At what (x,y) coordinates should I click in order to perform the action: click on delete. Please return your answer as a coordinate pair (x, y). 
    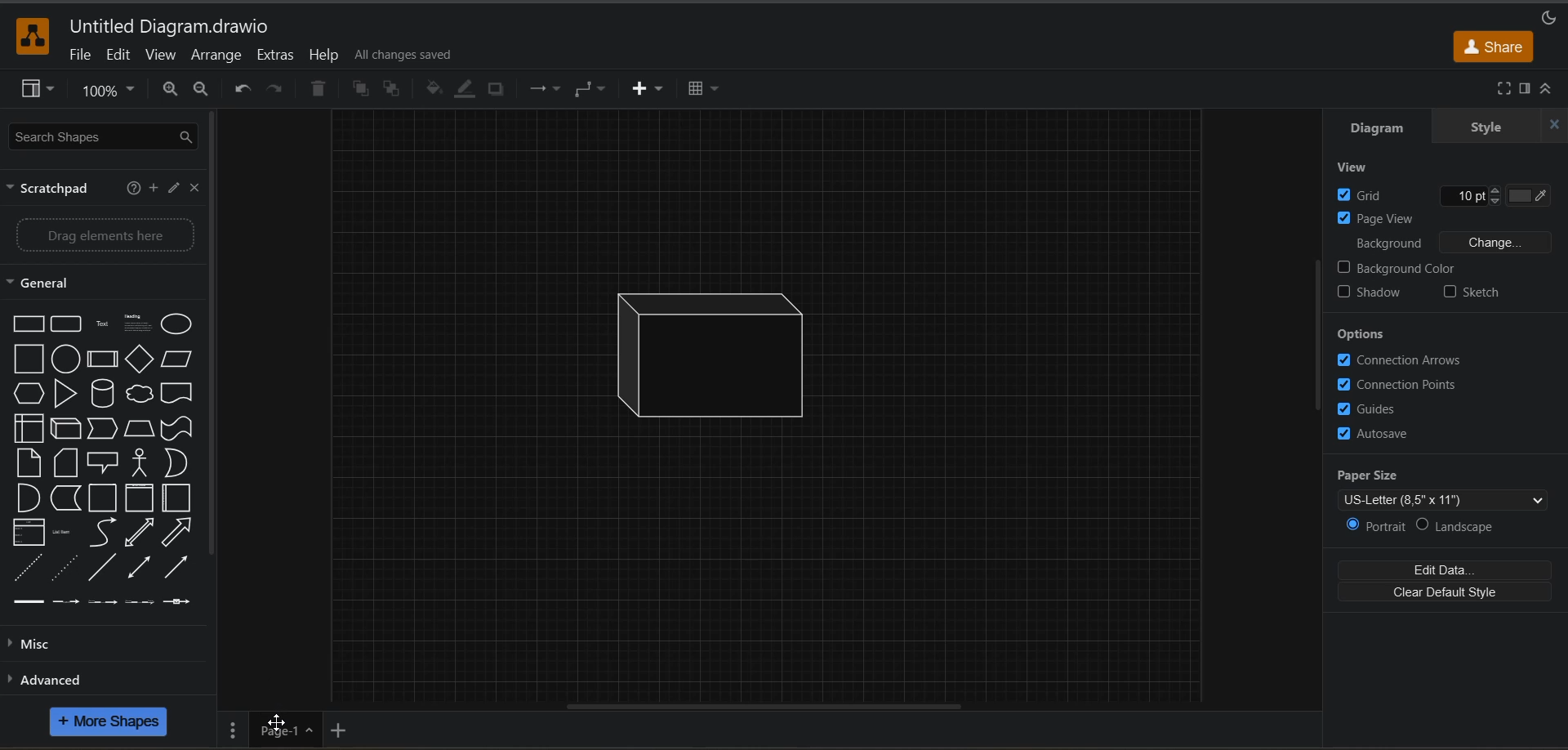
    Looking at the image, I should click on (317, 90).